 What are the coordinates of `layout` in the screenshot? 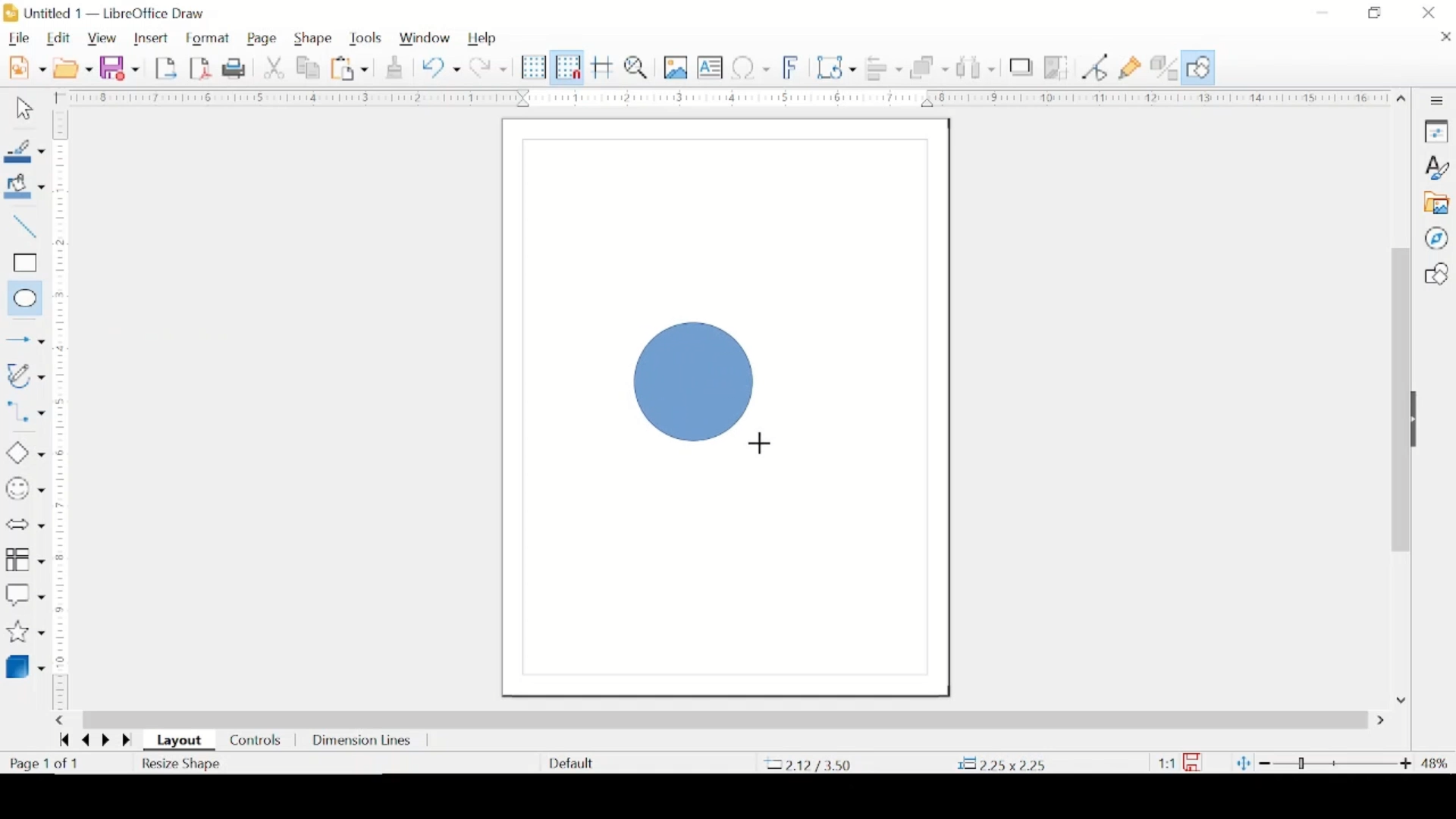 It's located at (180, 742).